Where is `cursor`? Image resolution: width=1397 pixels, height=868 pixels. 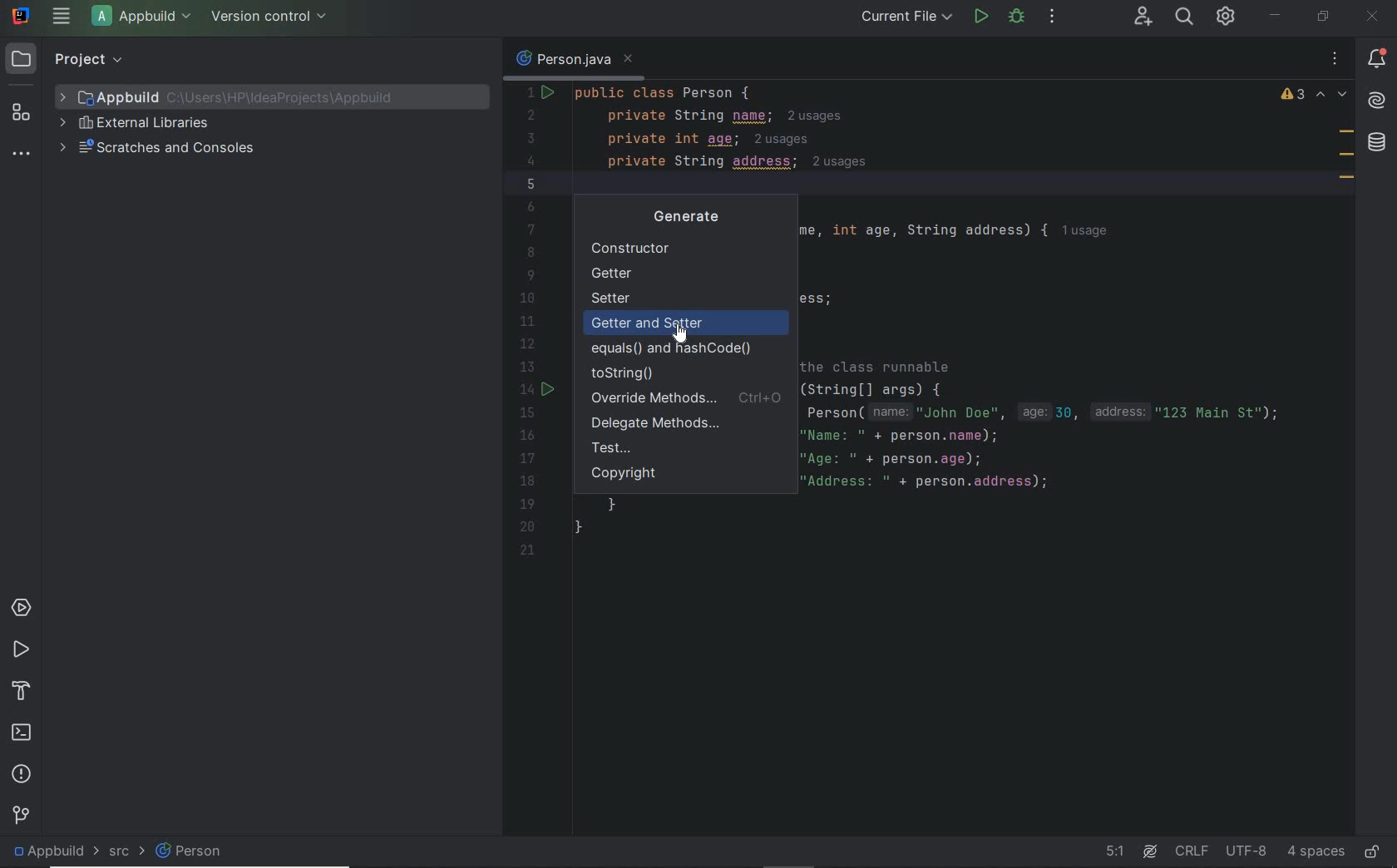 cursor is located at coordinates (685, 333).